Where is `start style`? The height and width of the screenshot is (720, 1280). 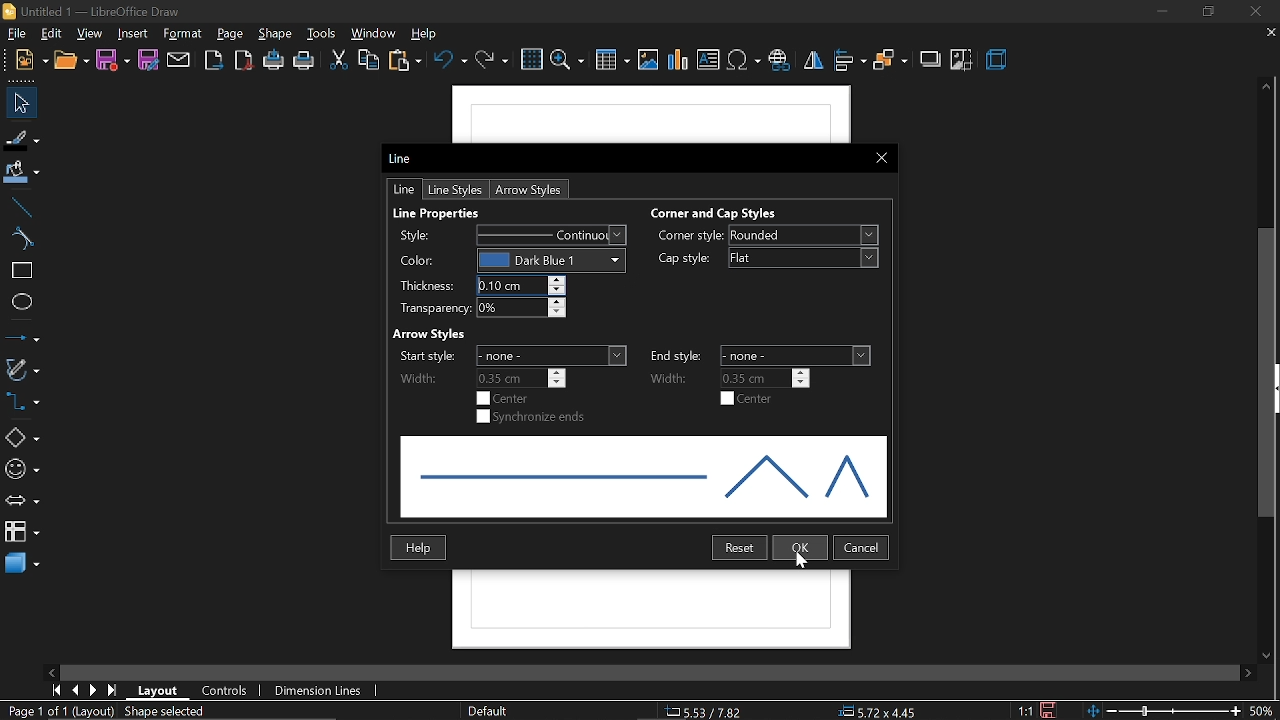 start style is located at coordinates (552, 355).